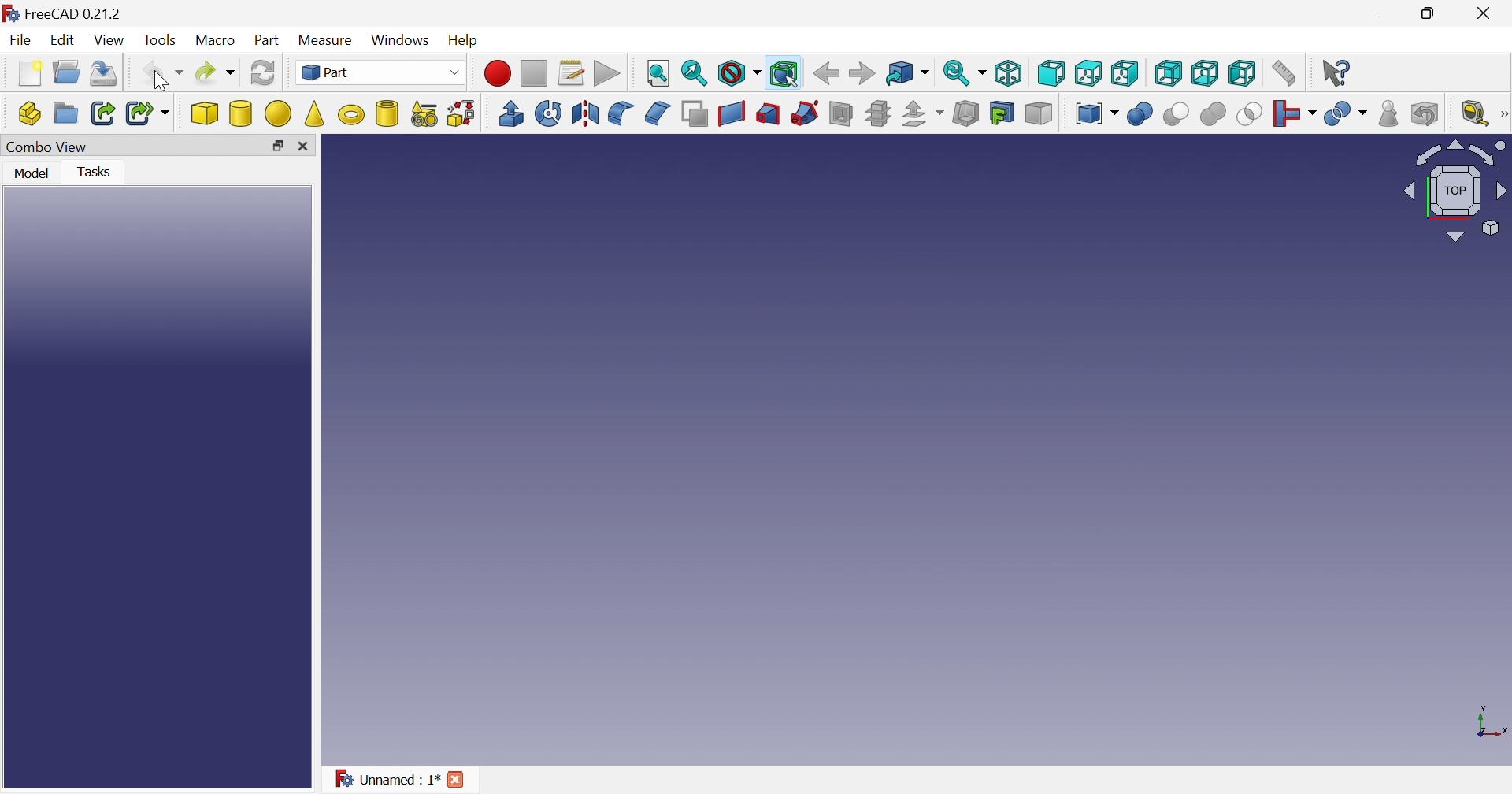 Image resolution: width=1512 pixels, height=794 pixels. I want to click on Sphere, so click(279, 114).